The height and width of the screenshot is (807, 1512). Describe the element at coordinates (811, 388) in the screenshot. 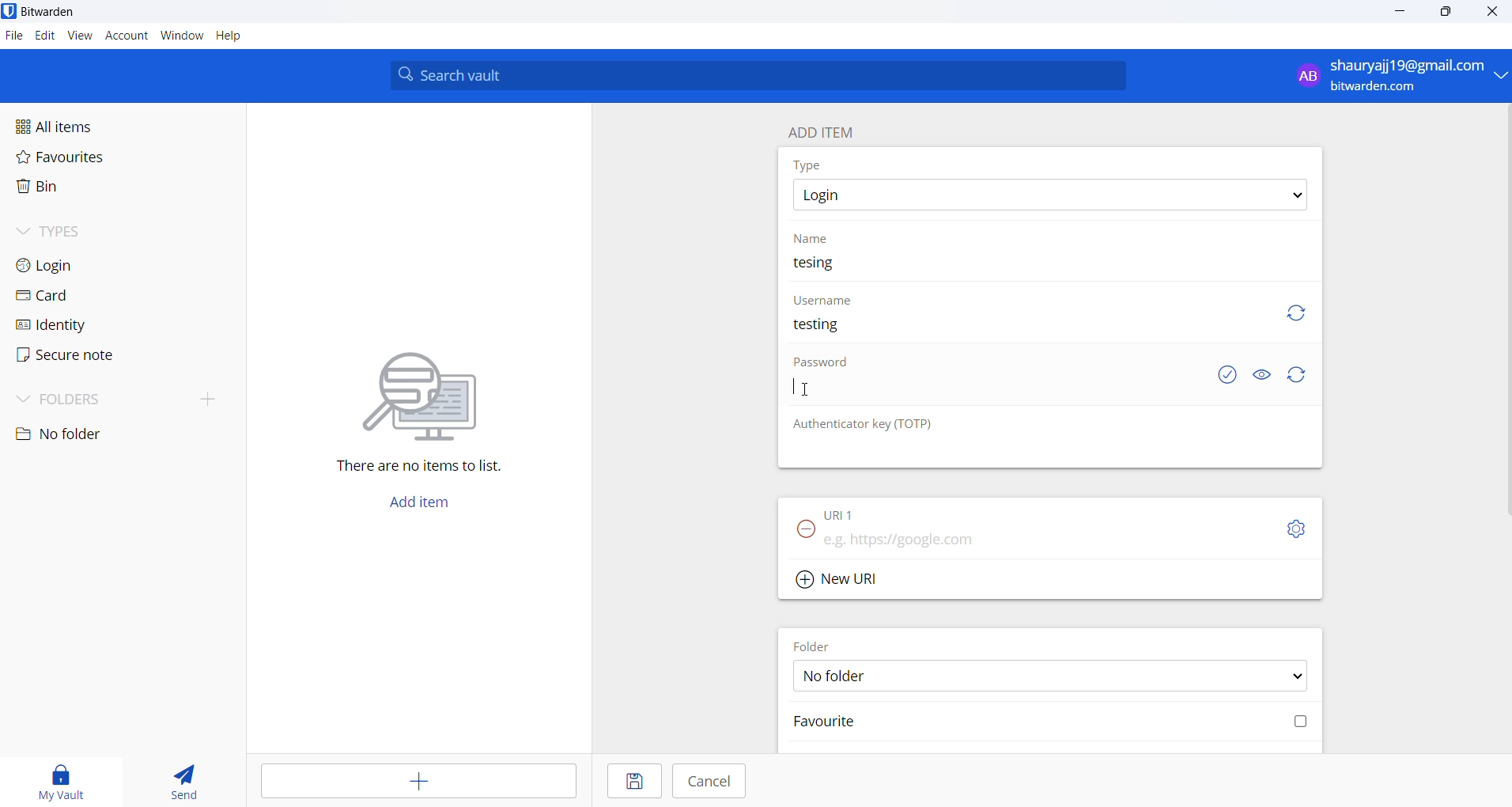

I see `CURSOR` at that location.